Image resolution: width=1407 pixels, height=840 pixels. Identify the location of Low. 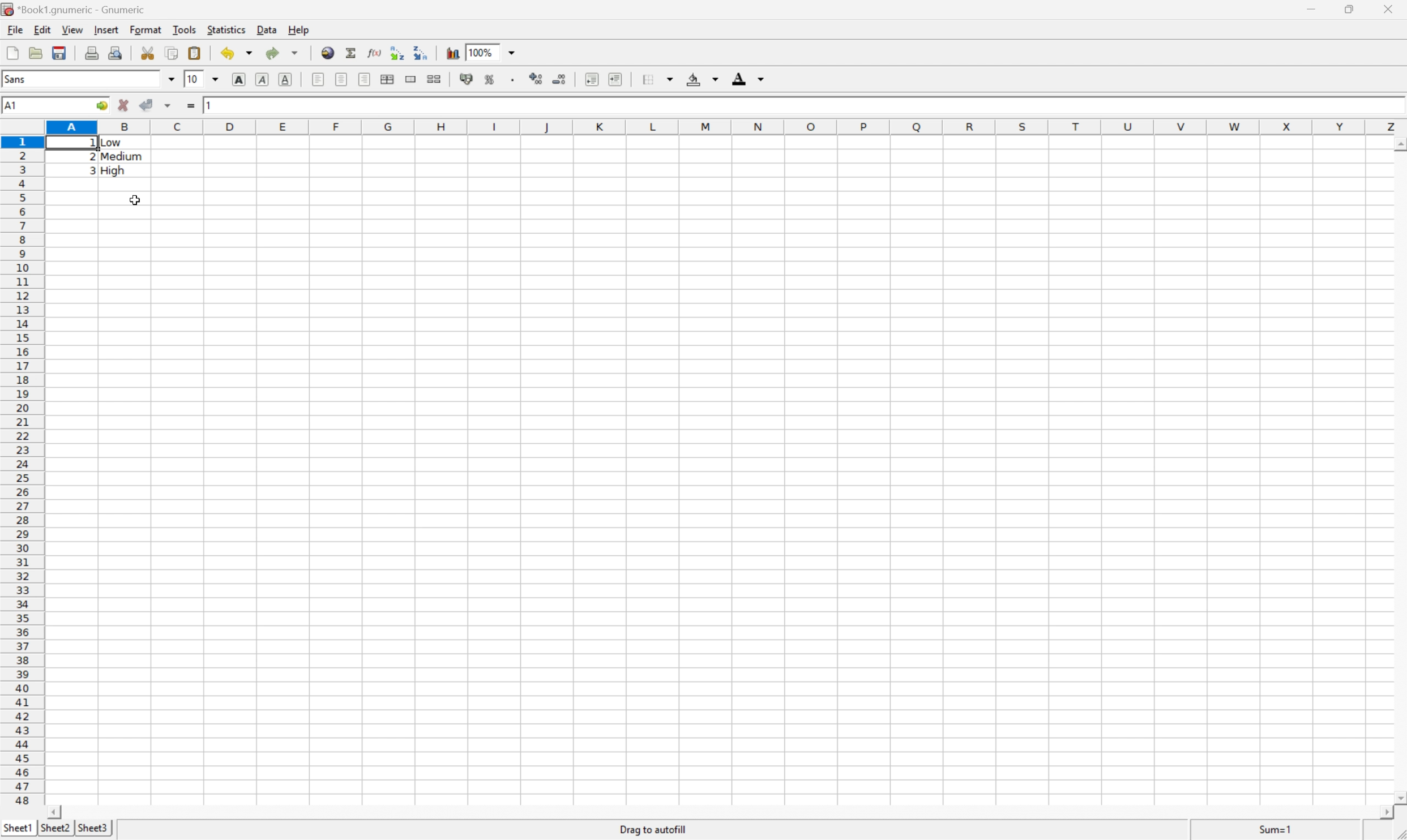
(117, 143).